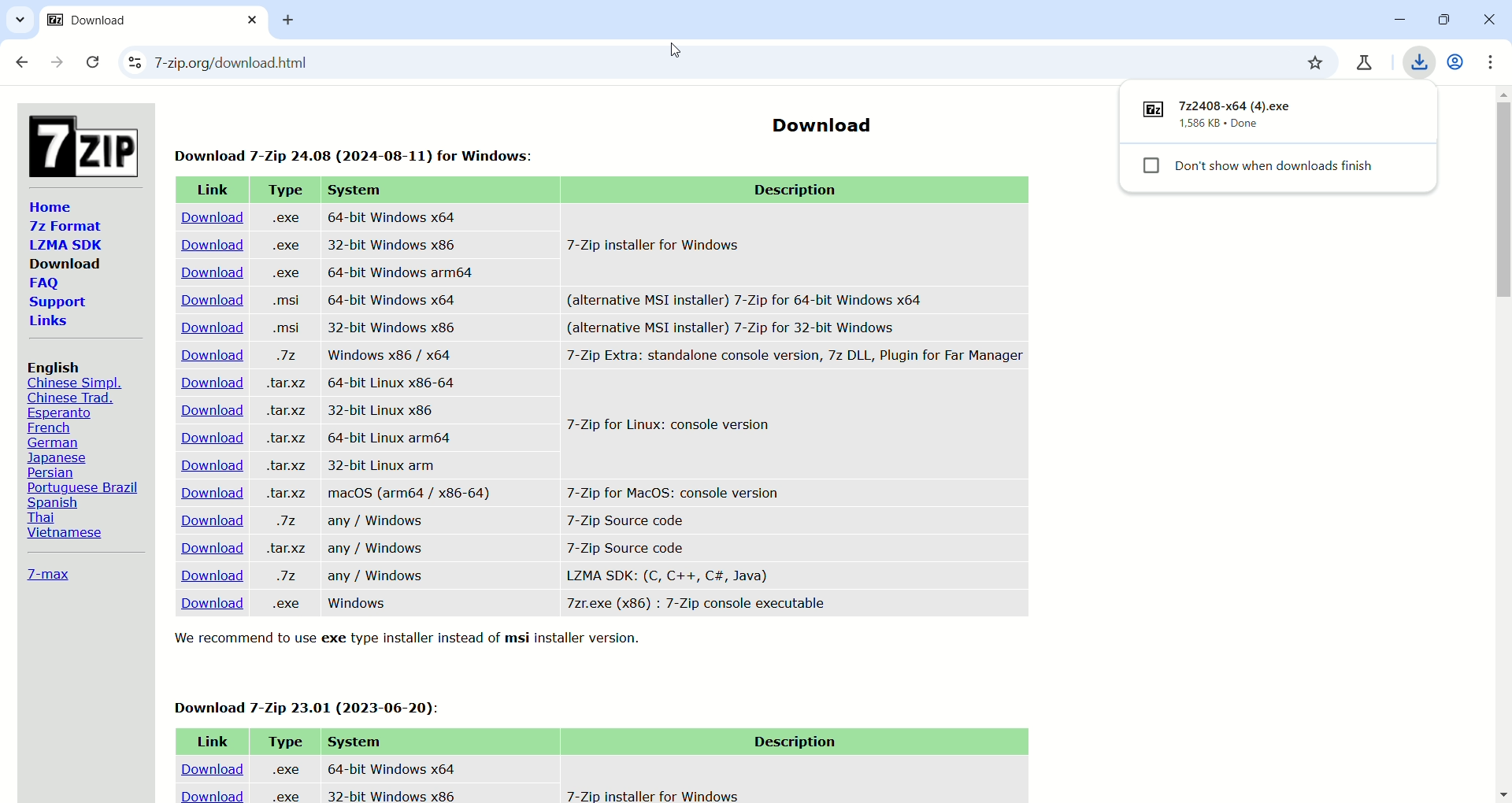 This screenshot has width=1512, height=803. I want to click on We recommend to use exe type installer instead of msi installer version., so click(414, 639).